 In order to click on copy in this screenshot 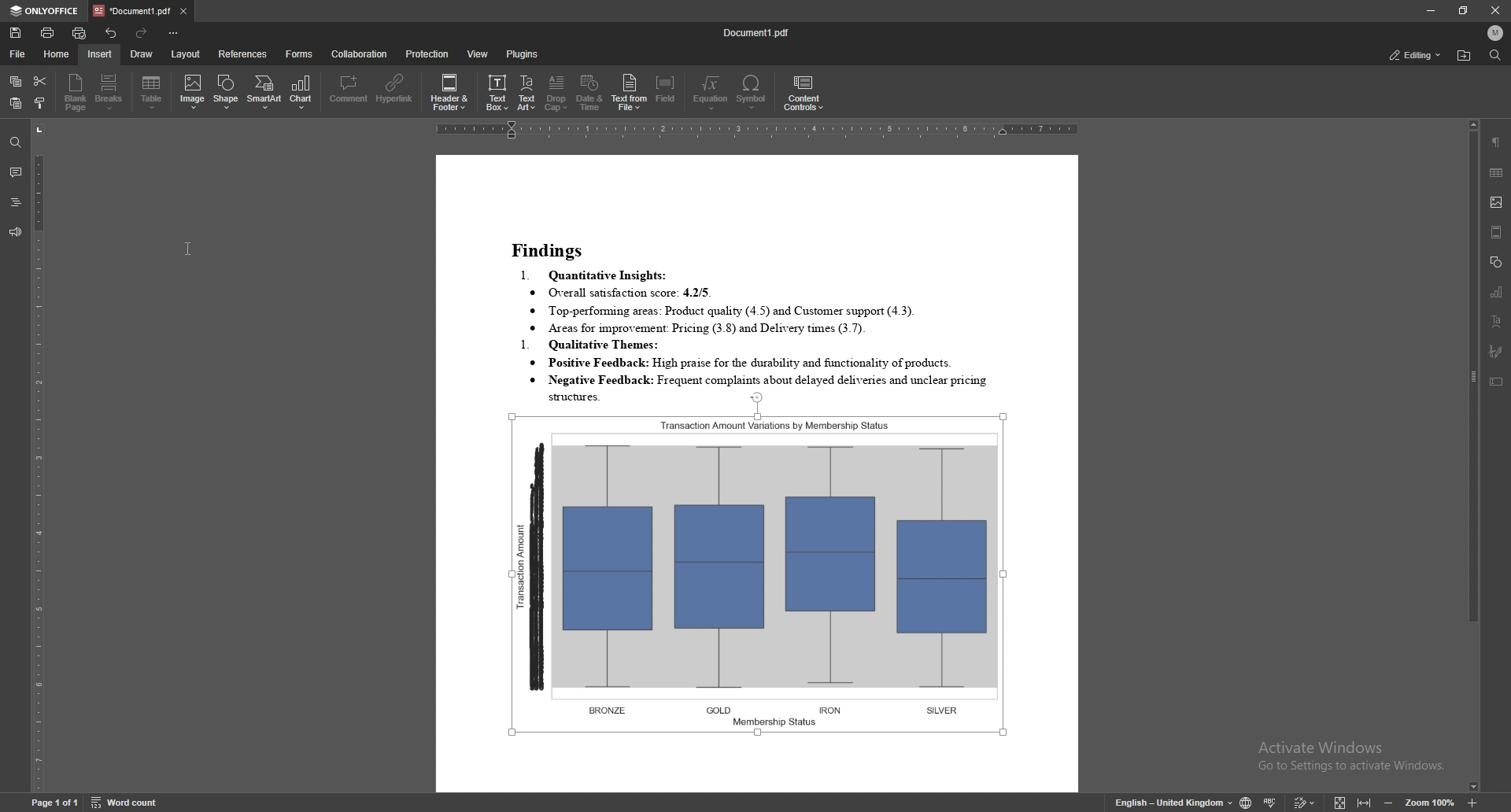, I will do `click(17, 82)`.